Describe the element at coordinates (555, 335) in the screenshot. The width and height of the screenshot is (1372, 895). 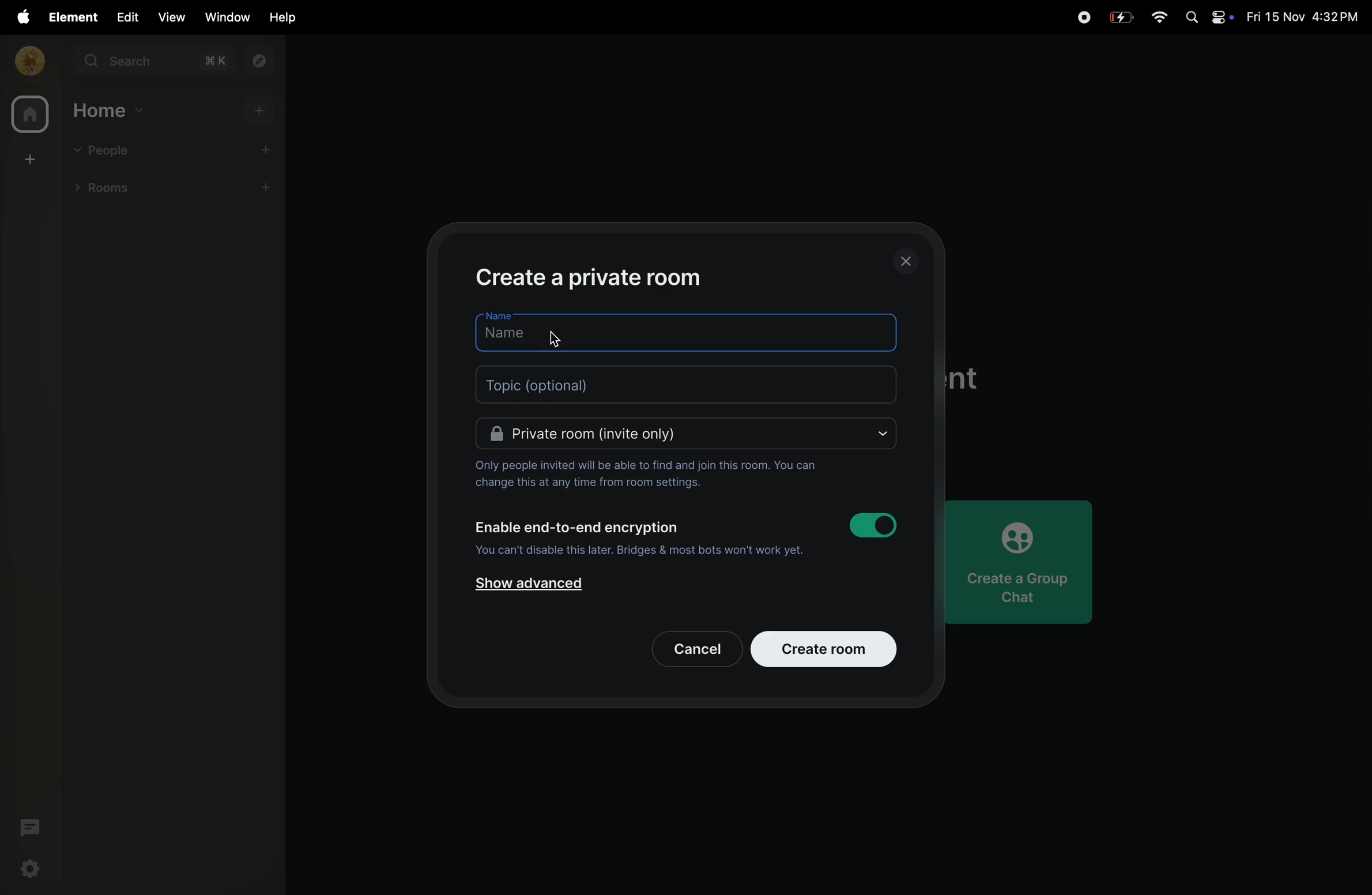
I see `cursor` at that location.